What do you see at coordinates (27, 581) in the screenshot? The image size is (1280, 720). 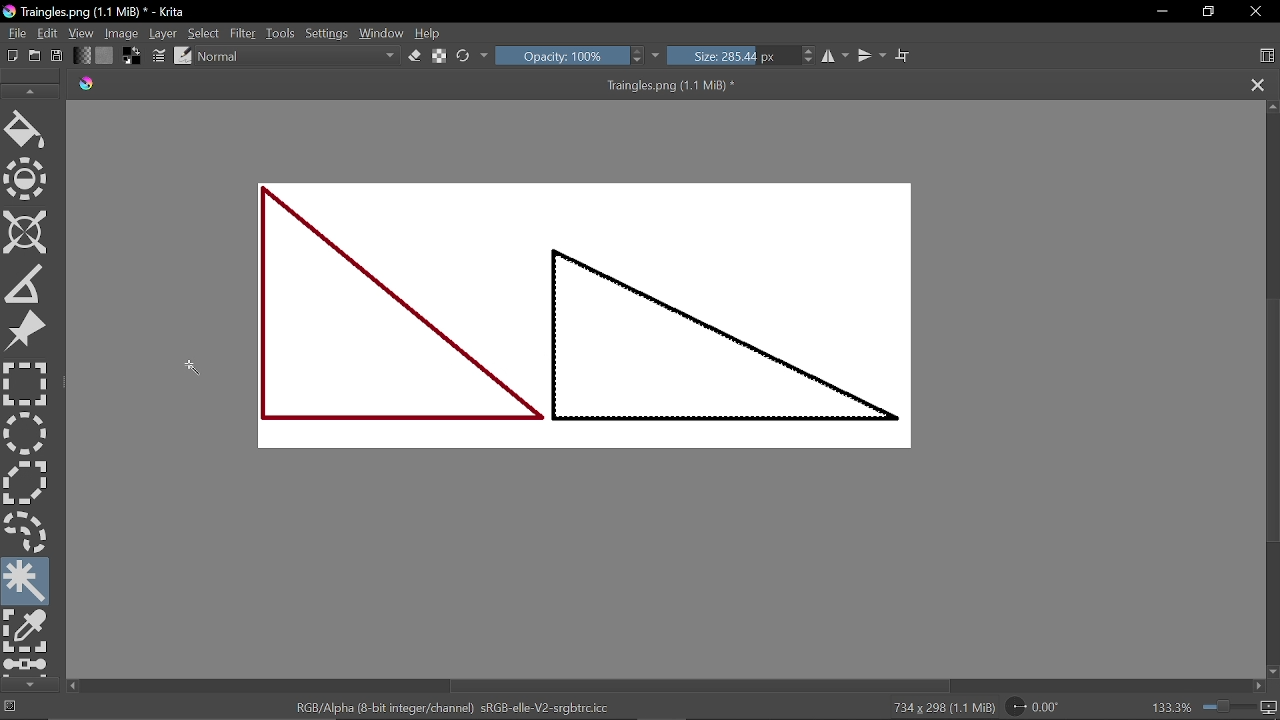 I see `Contagious selection tool` at bounding box center [27, 581].